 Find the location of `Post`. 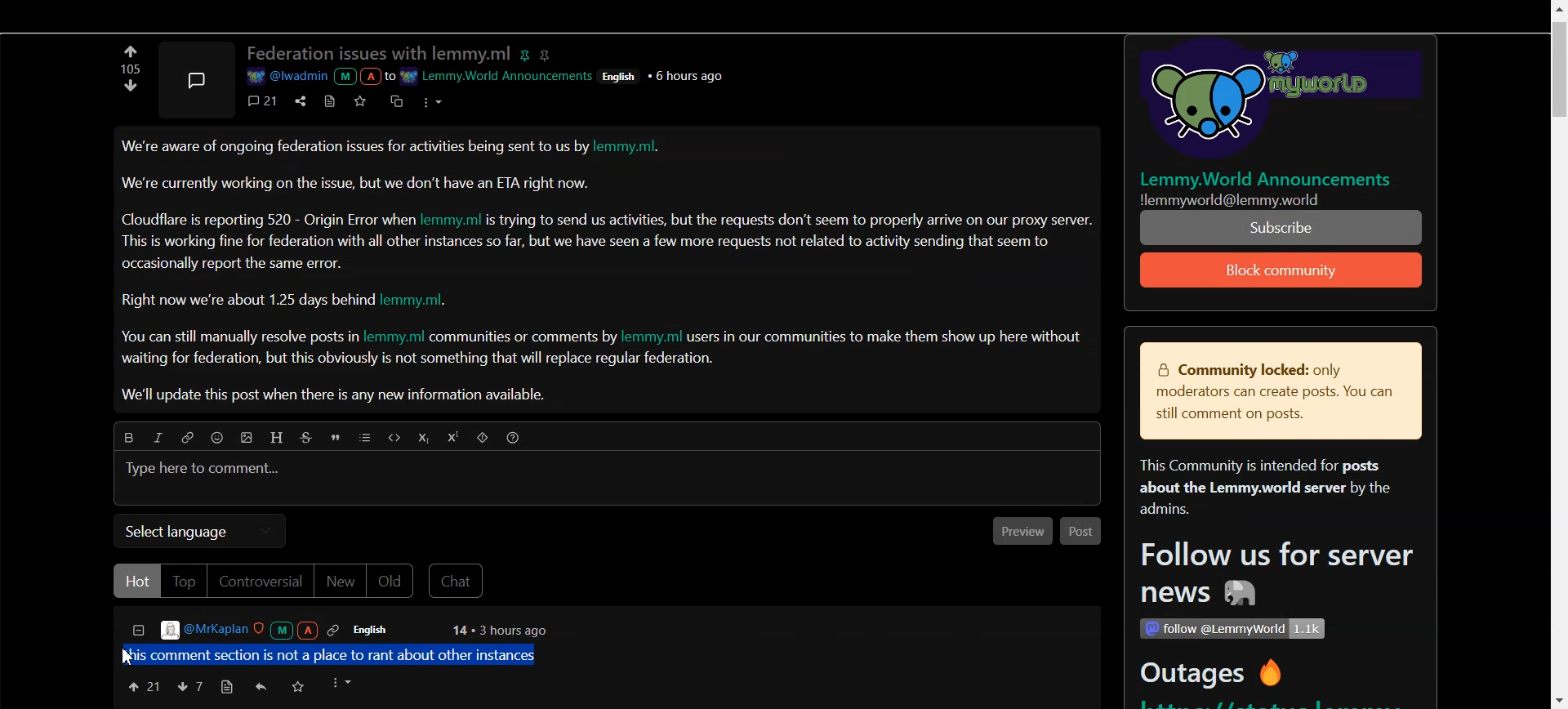

Post is located at coordinates (1081, 532).